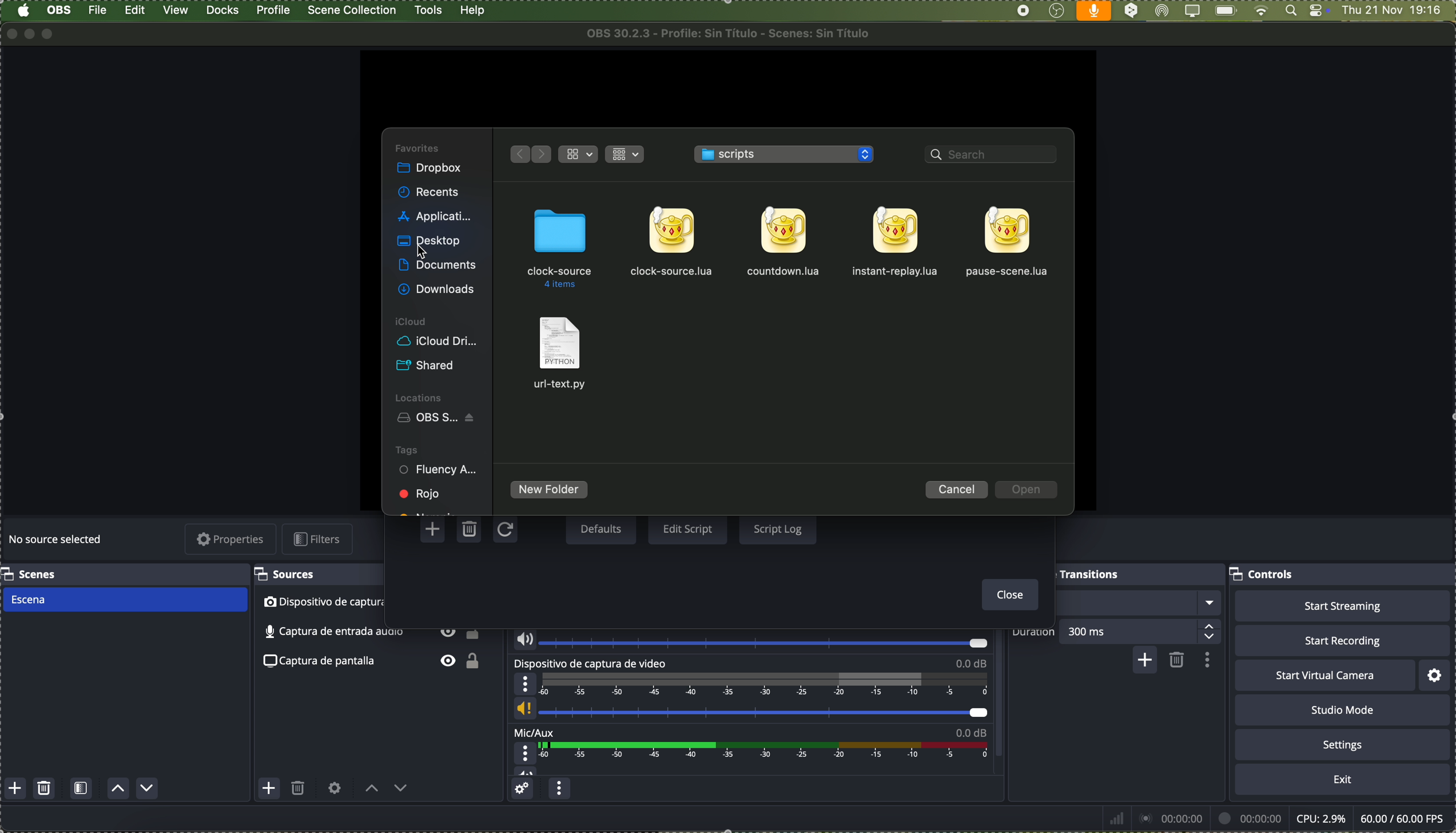 This screenshot has height=833, width=1456. I want to click on DeepL, so click(1132, 11).